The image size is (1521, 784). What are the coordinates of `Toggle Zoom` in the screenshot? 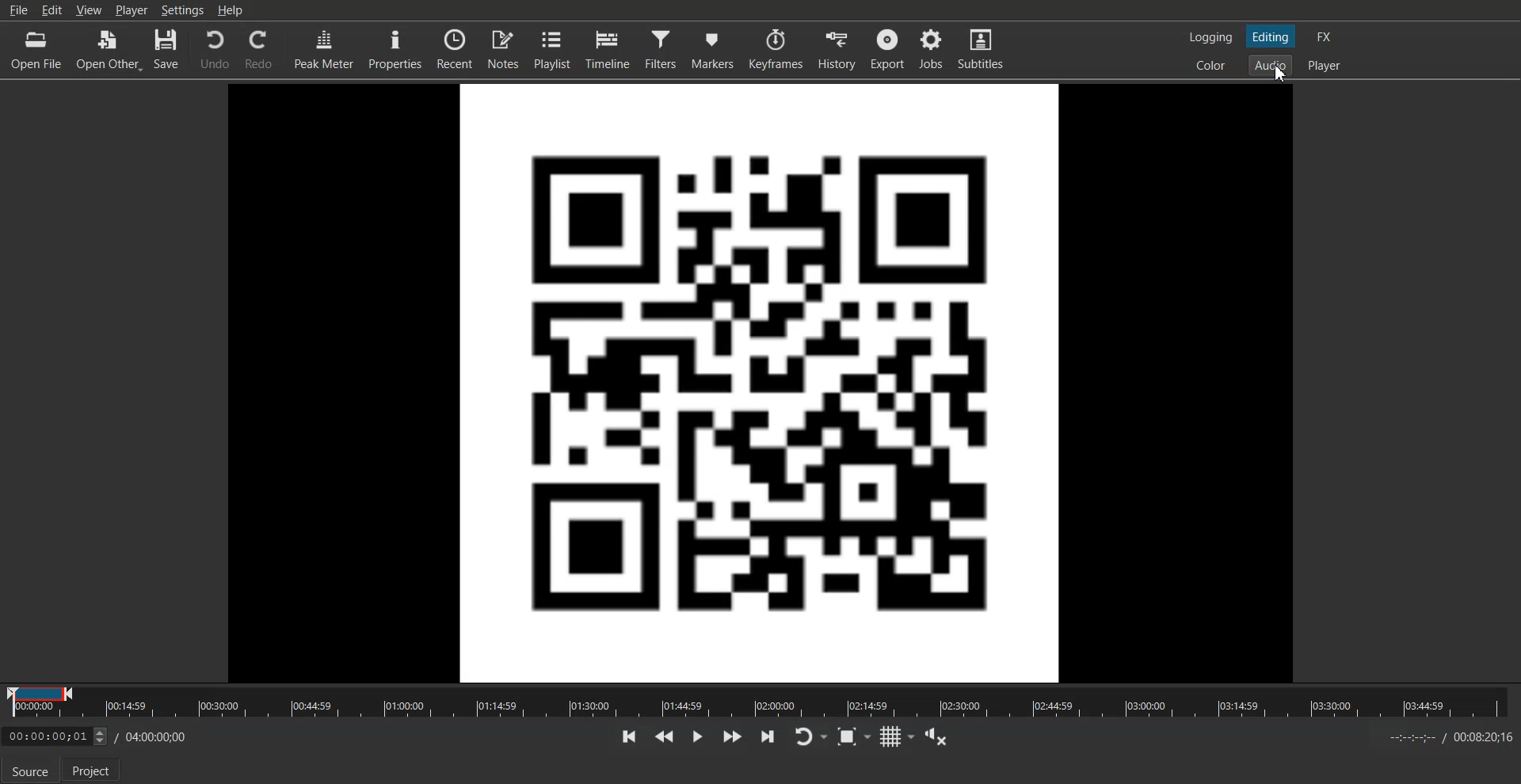 It's located at (854, 736).